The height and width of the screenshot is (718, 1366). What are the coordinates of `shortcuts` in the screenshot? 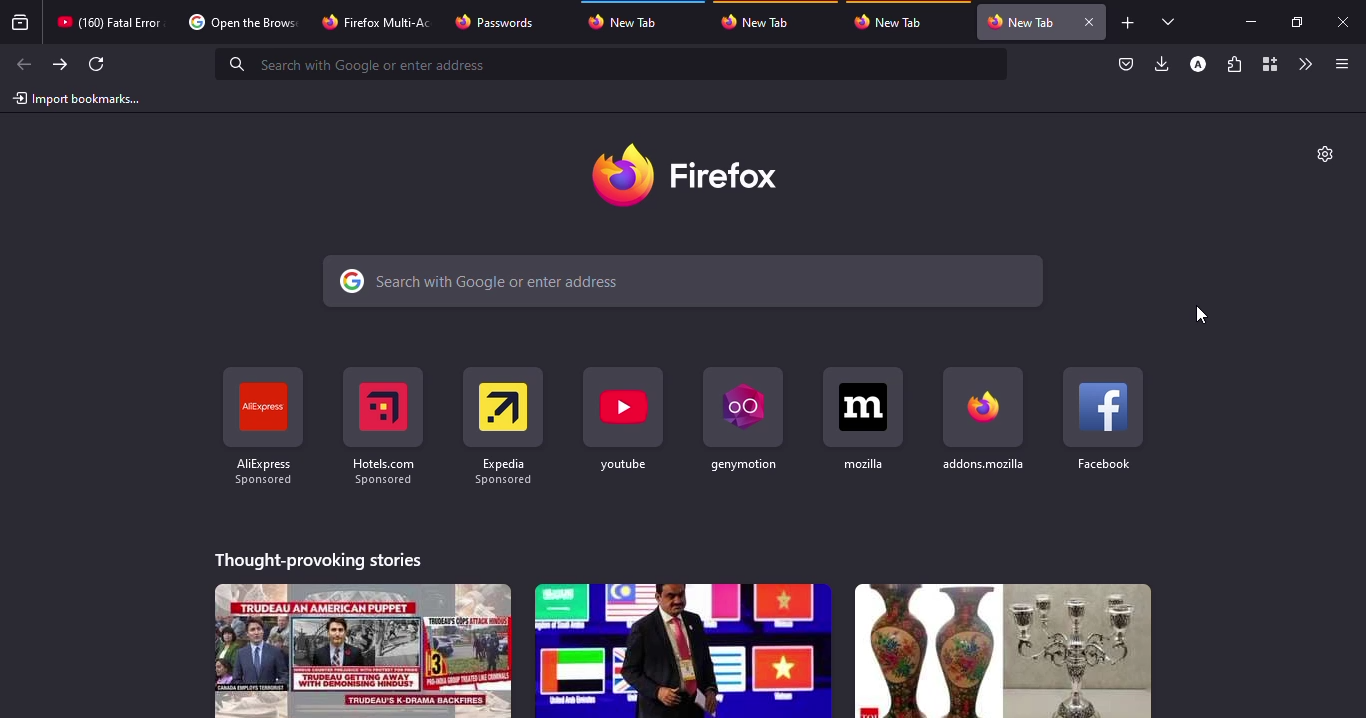 It's located at (503, 423).